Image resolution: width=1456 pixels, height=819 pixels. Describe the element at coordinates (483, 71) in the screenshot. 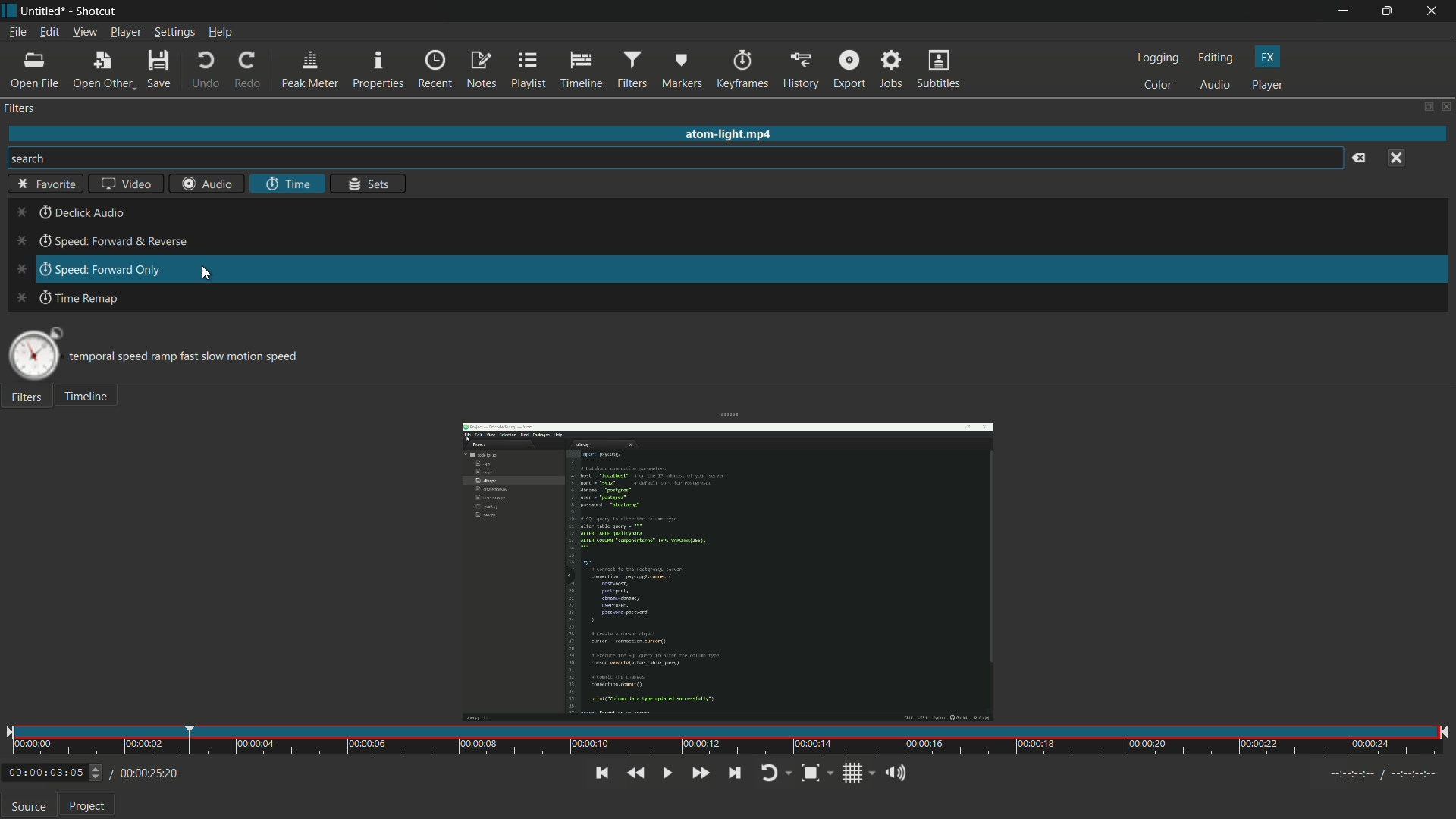

I see `notes` at that location.